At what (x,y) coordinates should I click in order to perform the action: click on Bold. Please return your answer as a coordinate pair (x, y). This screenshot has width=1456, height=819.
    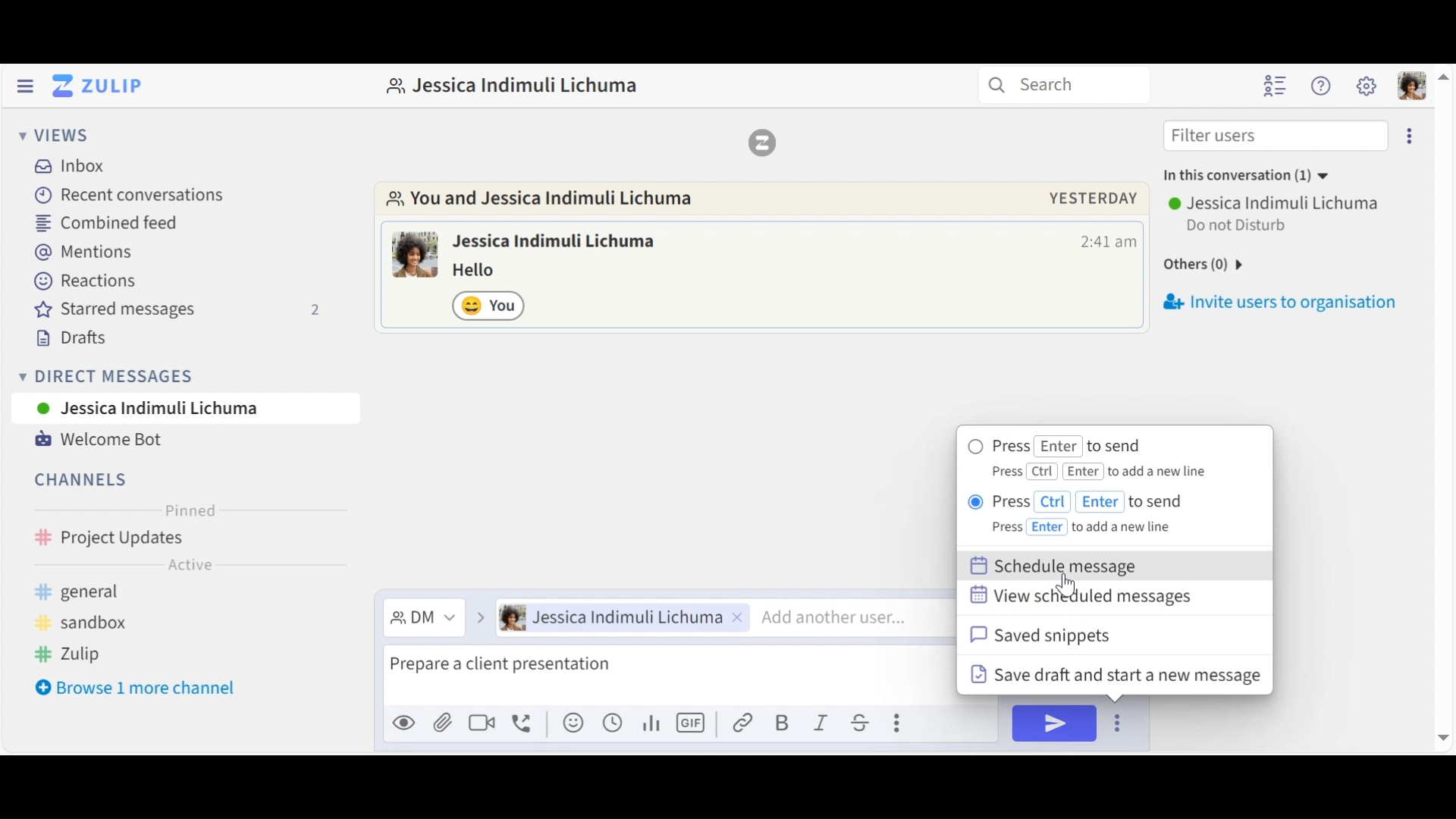
    Looking at the image, I should click on (783, 723).